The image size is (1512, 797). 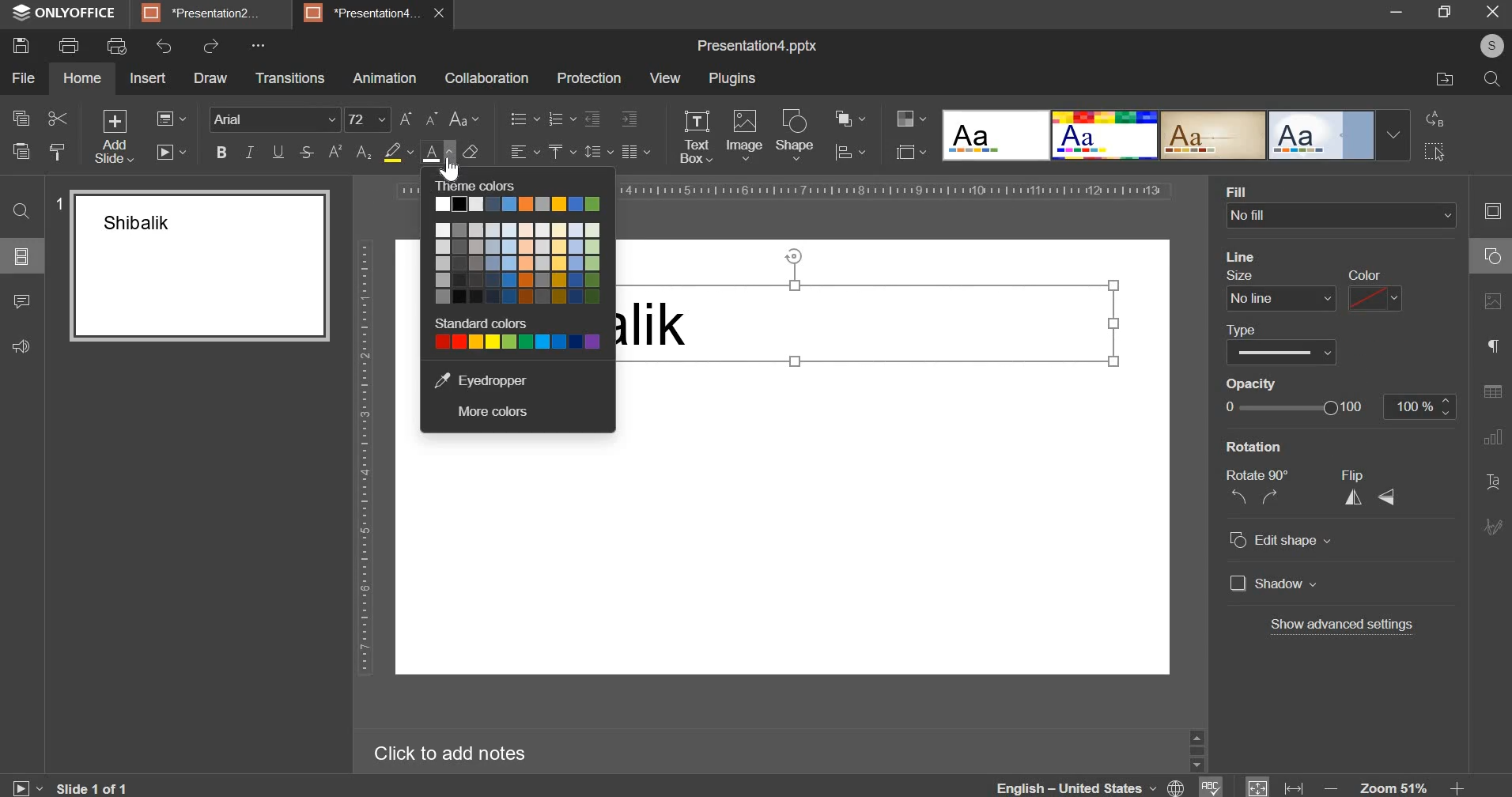 What do you see at coordinates (1375, 292) in the screenshot?
I see `color` at bounding box center [1375, 292].